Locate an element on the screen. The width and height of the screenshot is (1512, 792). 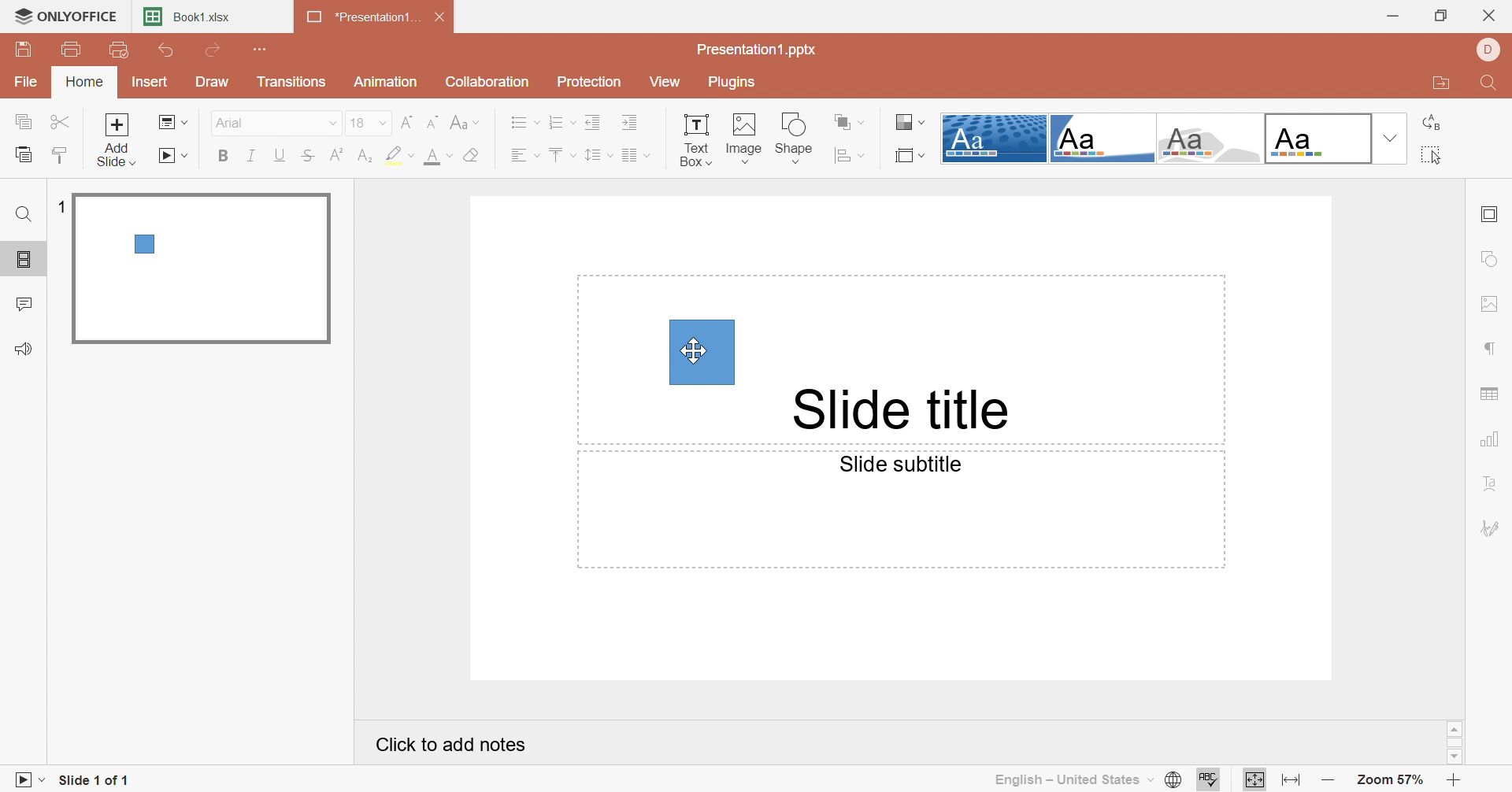
Slide Title is located at coordinates (901, 412).